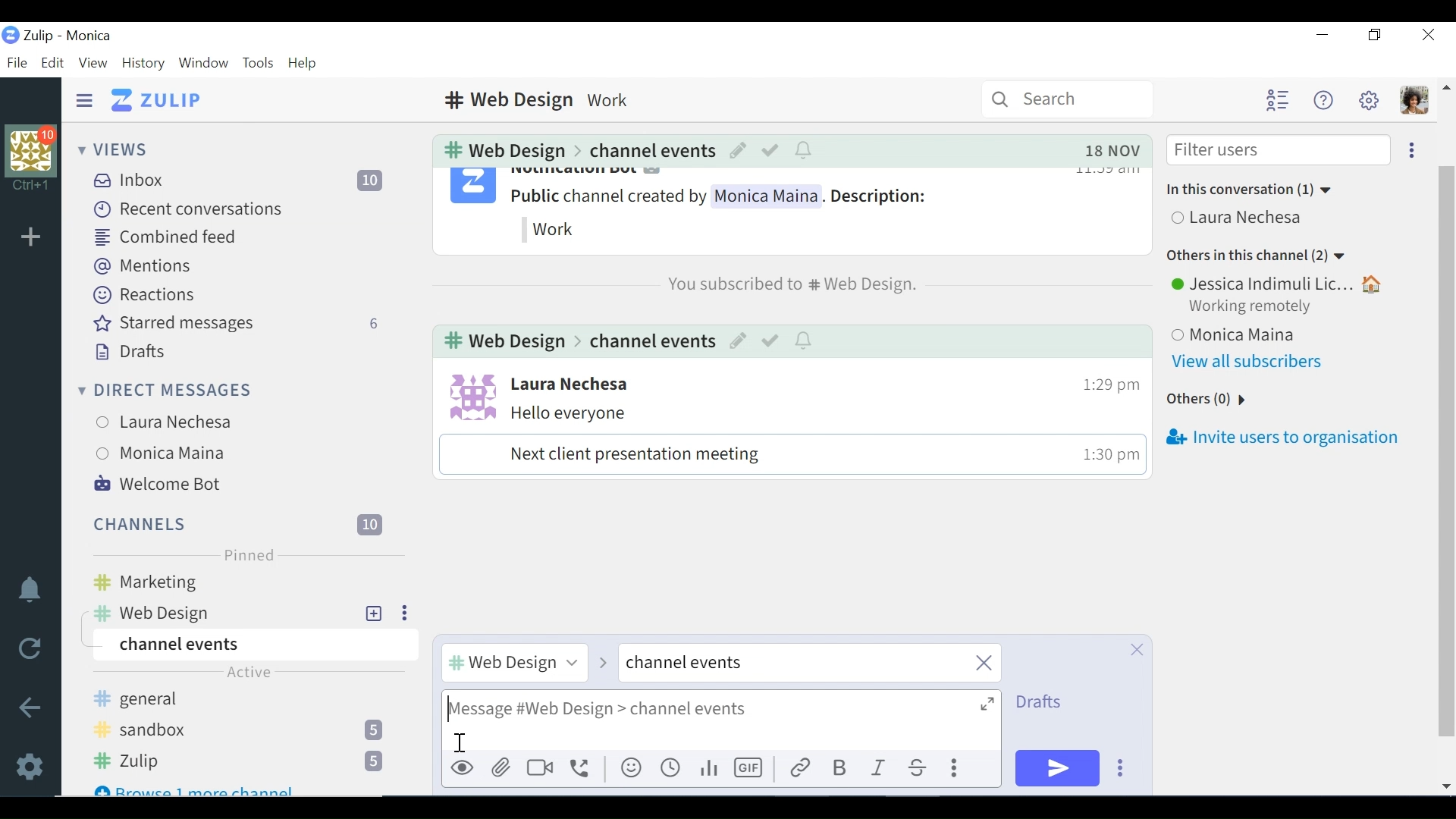 The width and height of the screenshot is (1456, 819). Describe the element at coordinates (1257, 257) in the screenshot. I see `Others in this channel` at that location.